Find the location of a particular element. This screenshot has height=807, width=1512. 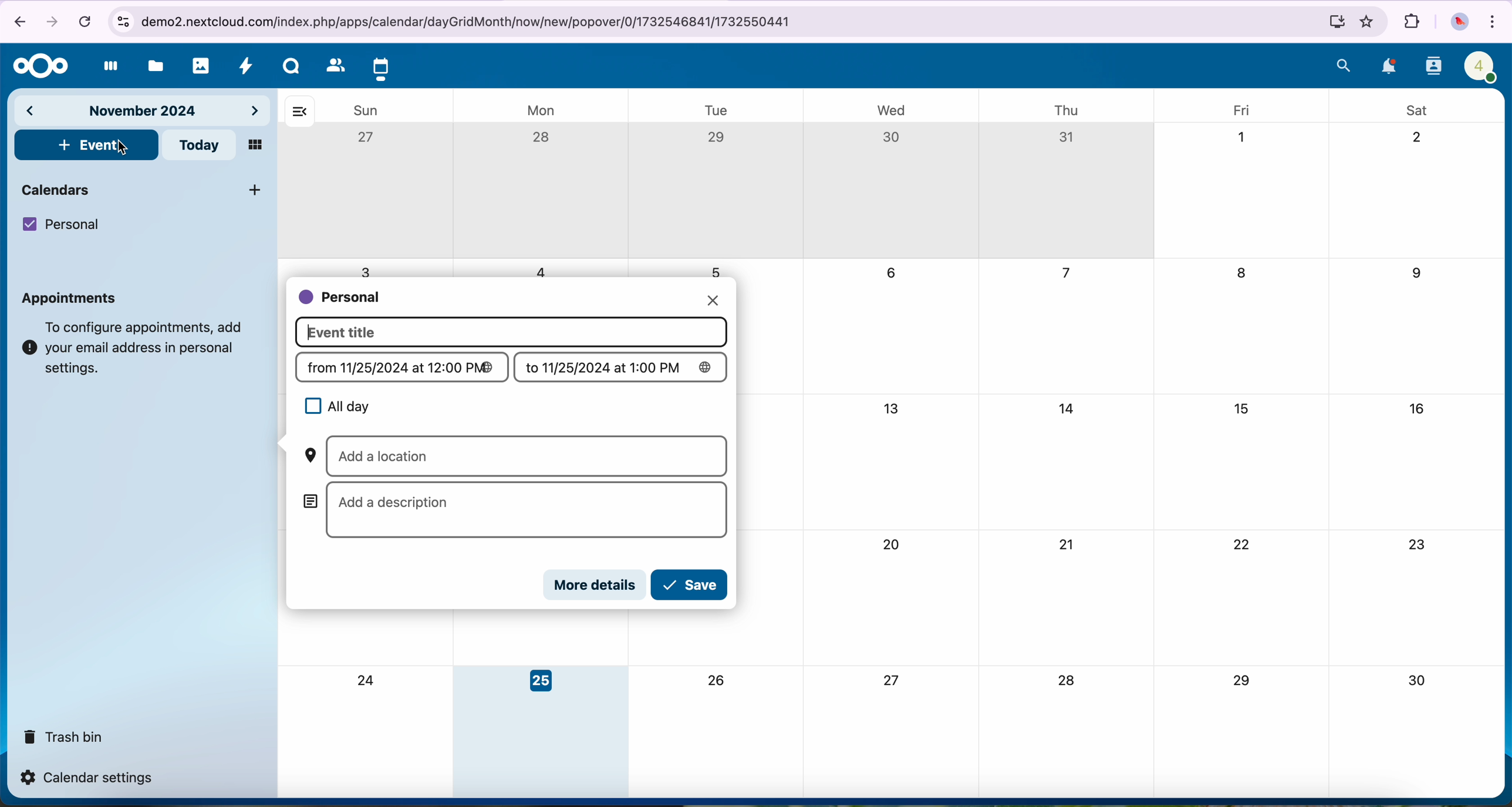

customize and control Google Chrome is located at coordinates (1494, 21).